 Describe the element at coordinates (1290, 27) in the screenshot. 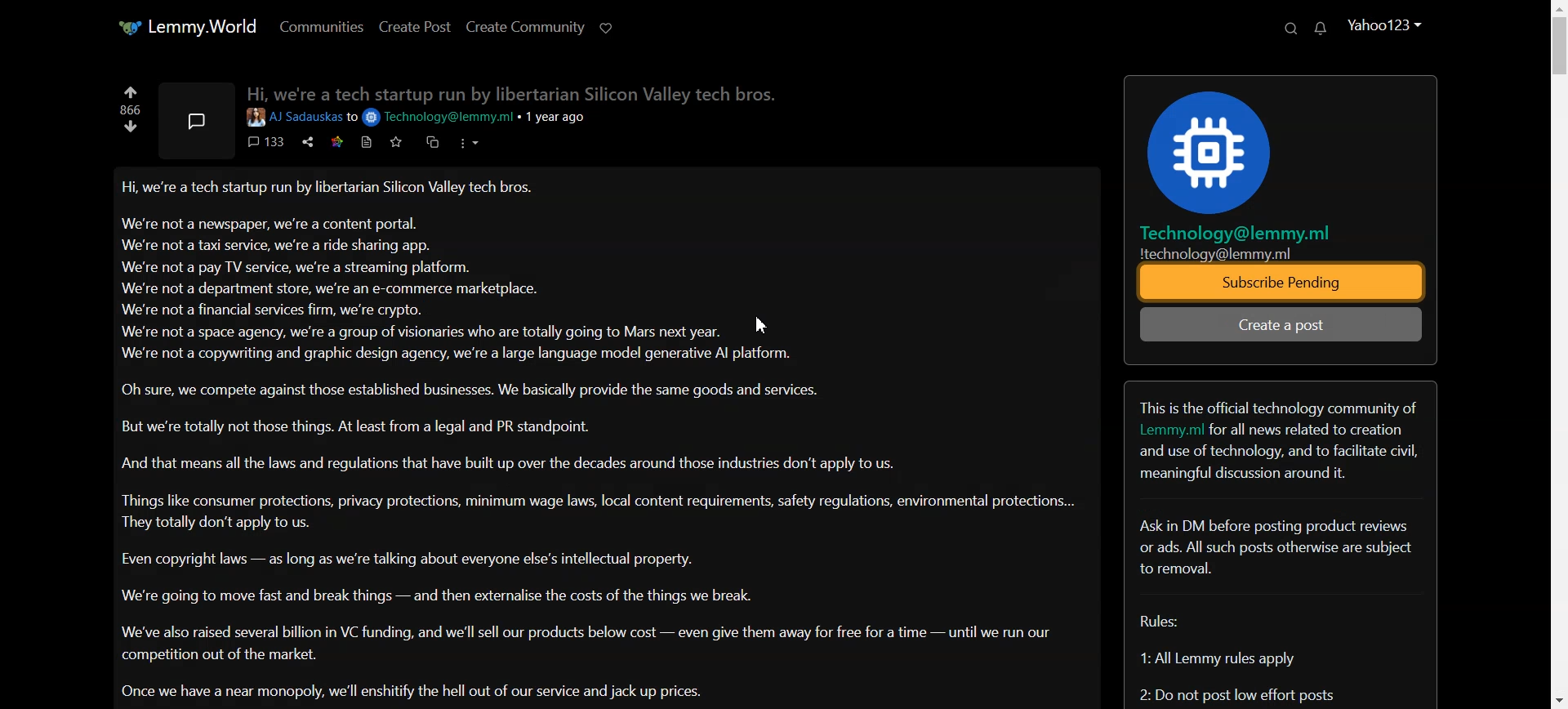

I see `Search` at that location.